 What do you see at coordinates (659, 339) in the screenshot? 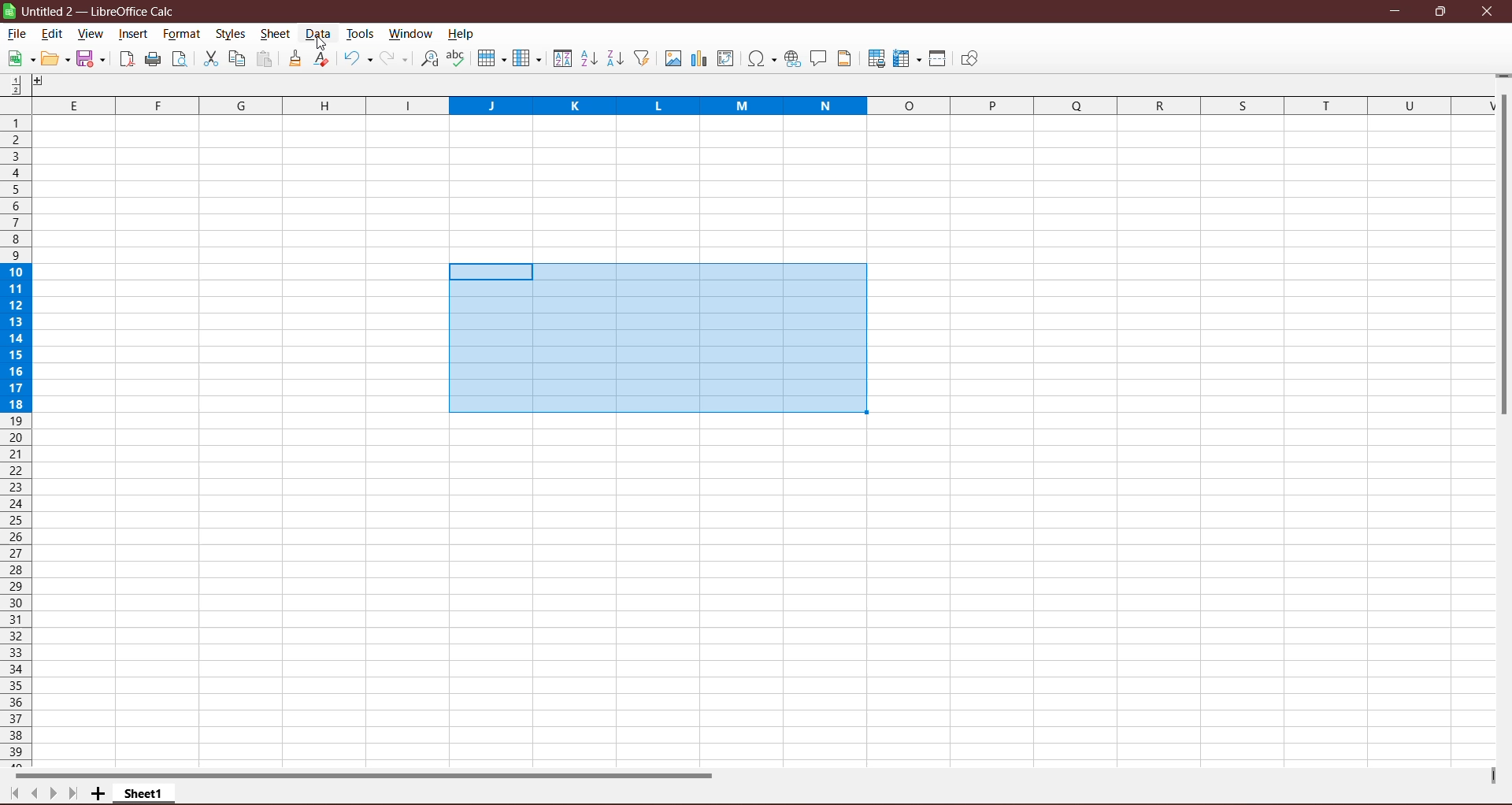
I see `Cells selected` at bounding box center [659, 339].